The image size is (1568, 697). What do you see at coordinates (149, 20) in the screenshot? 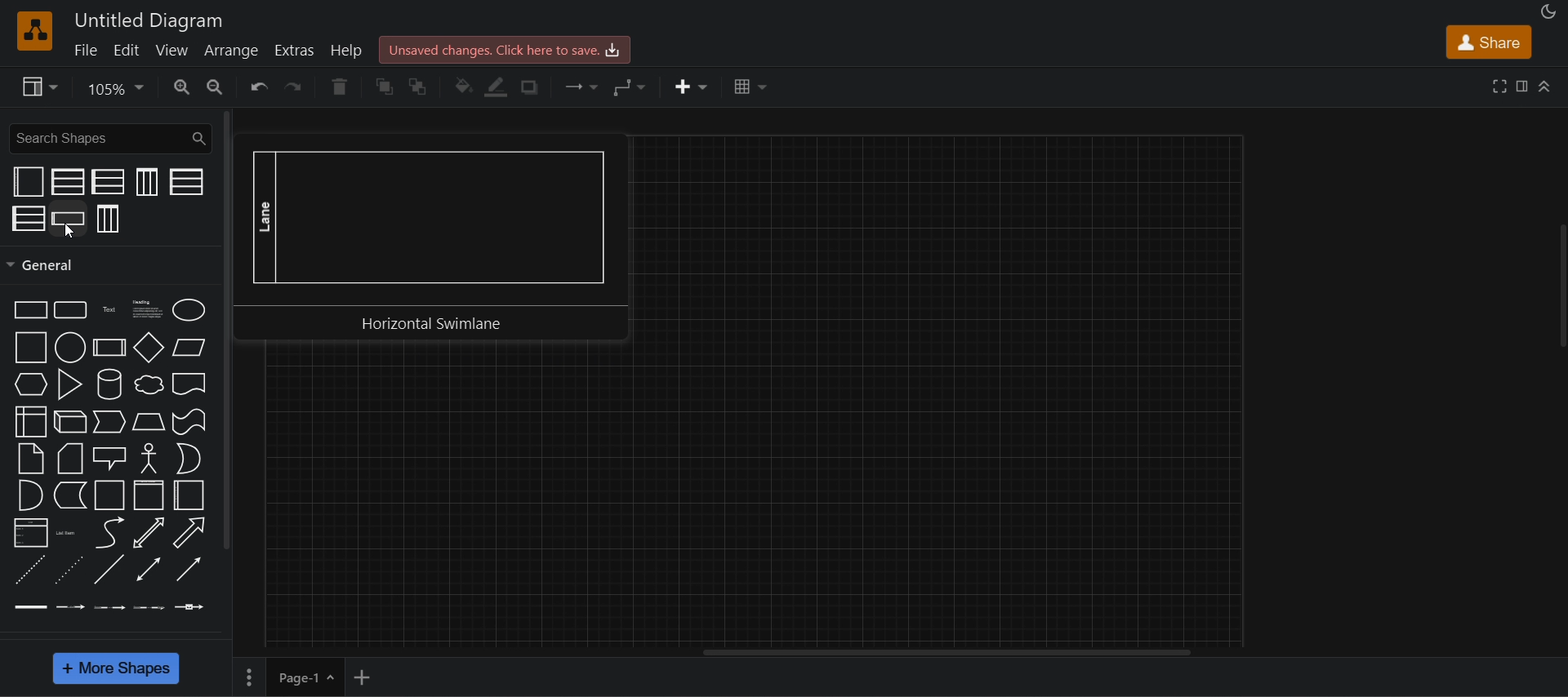
I see `Untitled diagram` at bounding box center [149, 20].